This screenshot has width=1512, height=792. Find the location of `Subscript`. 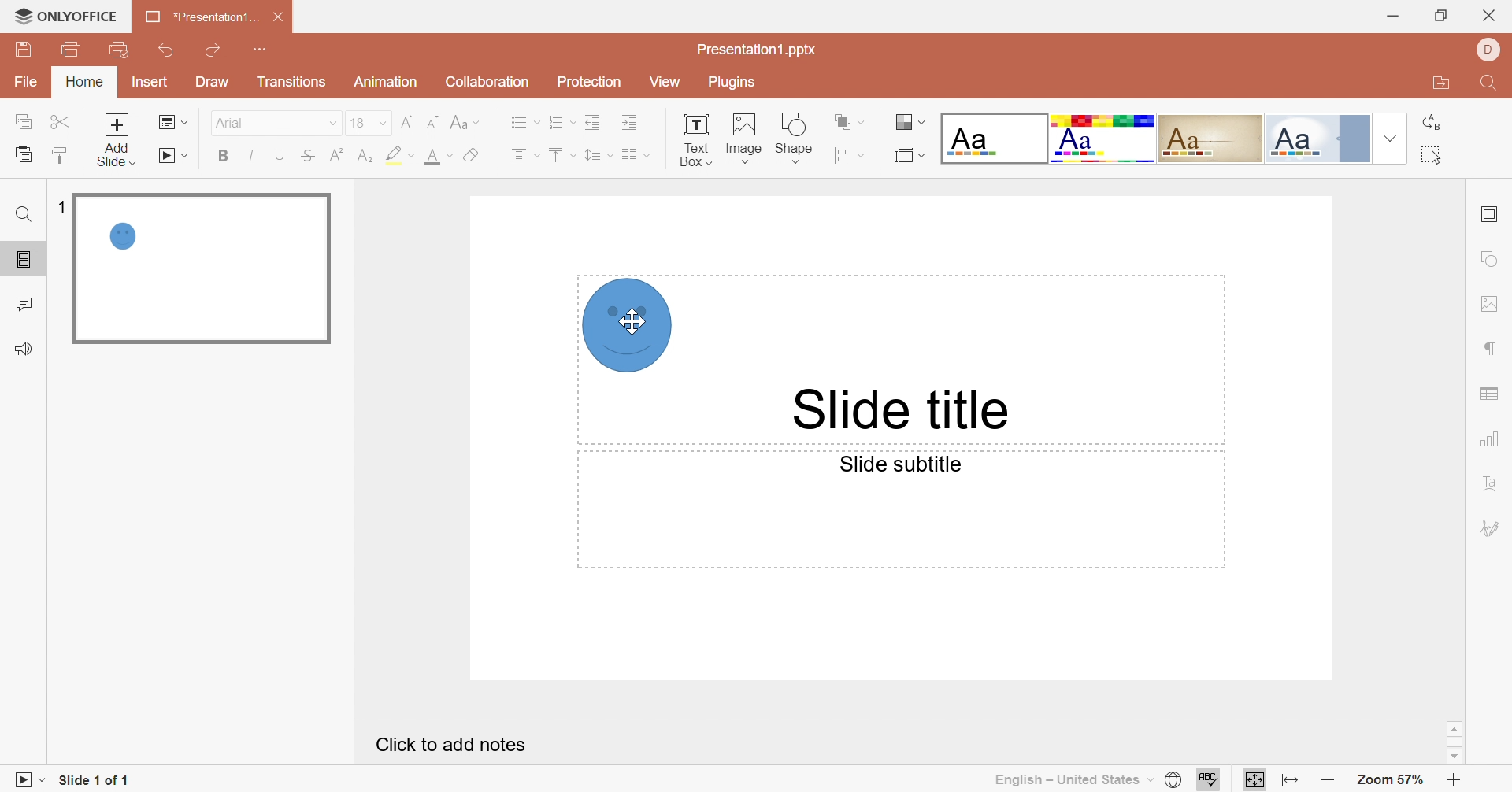

Subscript is located at coordinates (365, 156).